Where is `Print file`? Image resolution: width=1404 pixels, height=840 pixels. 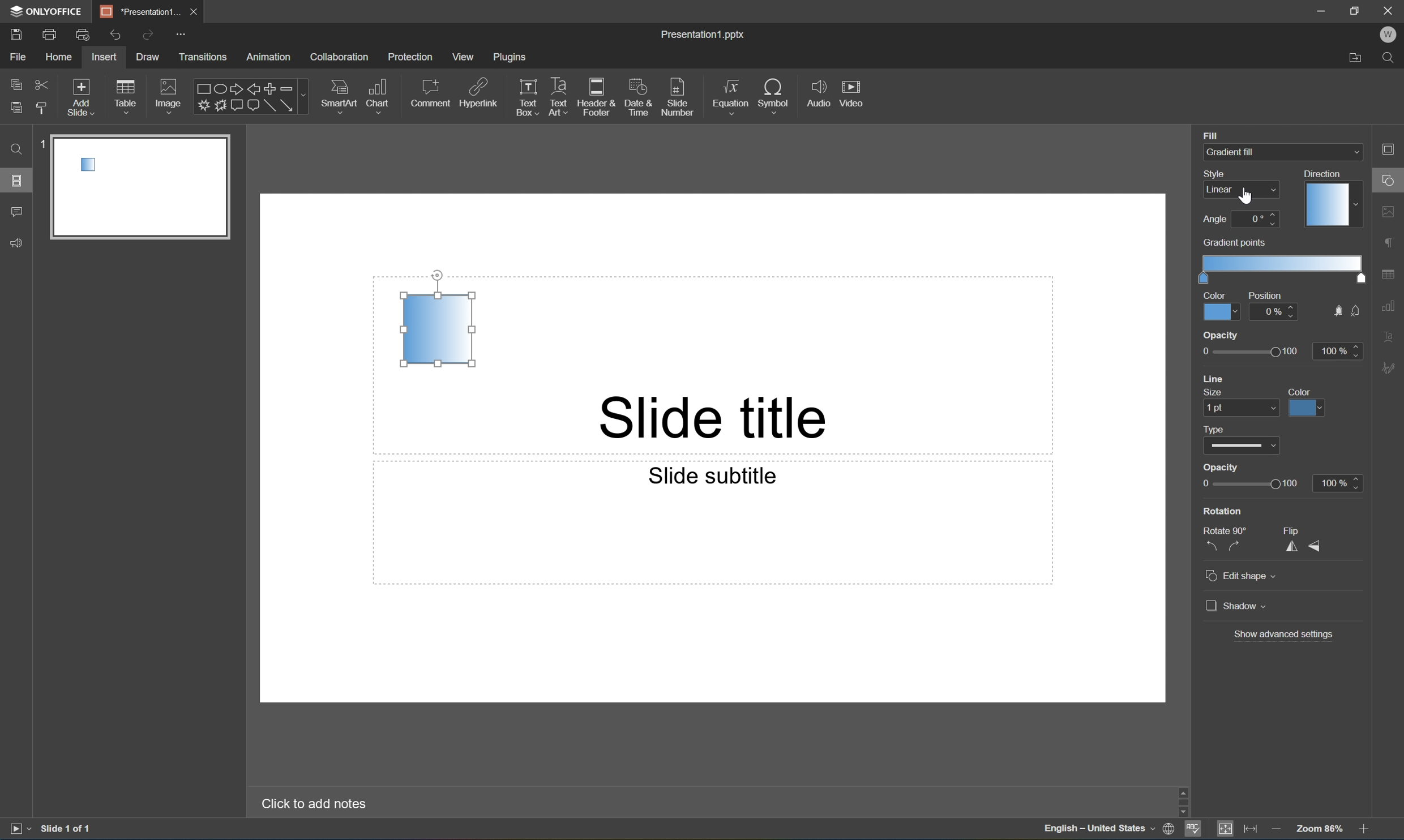
Print file is located at coordinates (52, 33).